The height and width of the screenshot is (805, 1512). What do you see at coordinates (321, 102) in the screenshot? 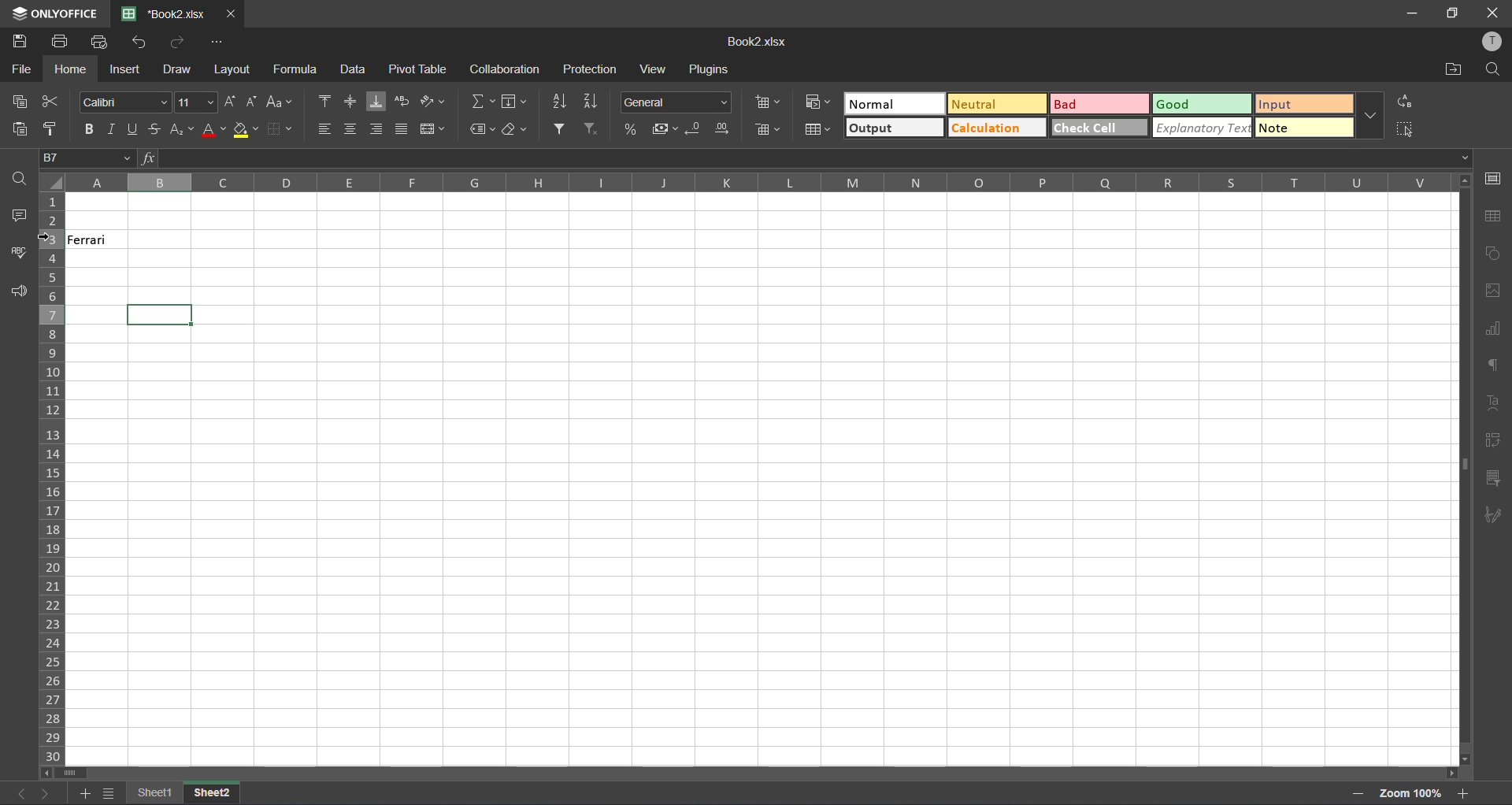
I see `align top` at bounding box center [321, 102].